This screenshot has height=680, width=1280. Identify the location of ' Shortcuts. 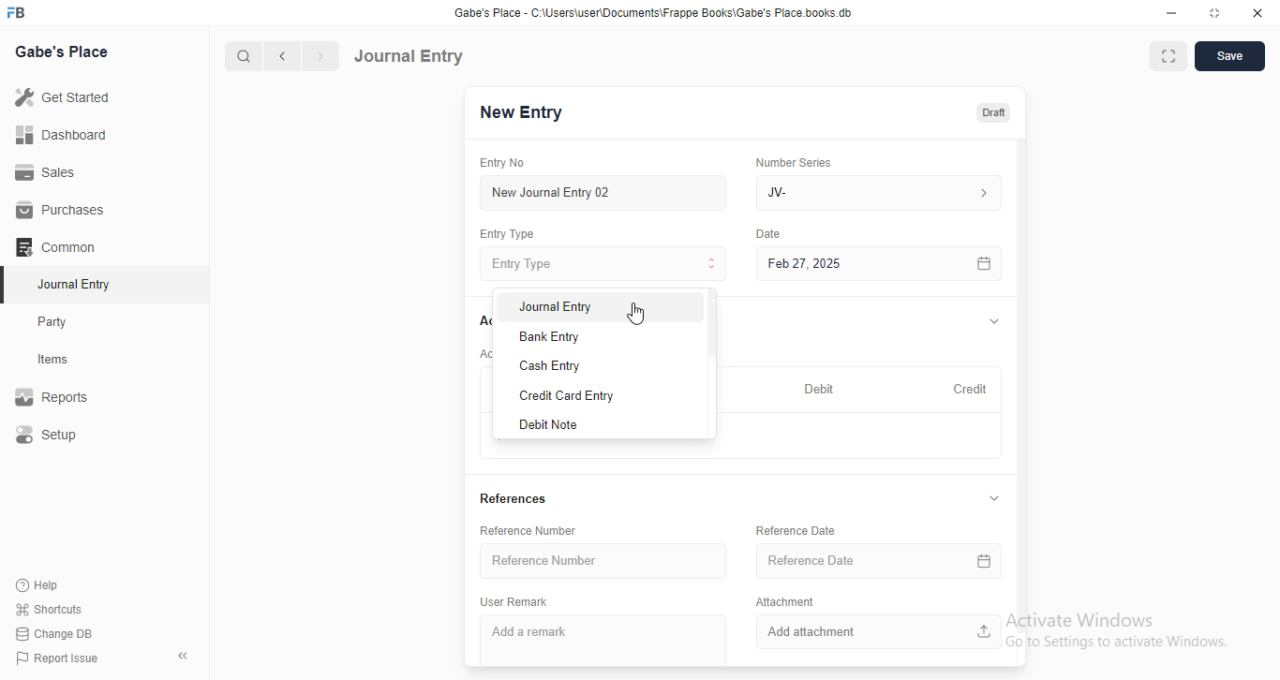
(50, 608).